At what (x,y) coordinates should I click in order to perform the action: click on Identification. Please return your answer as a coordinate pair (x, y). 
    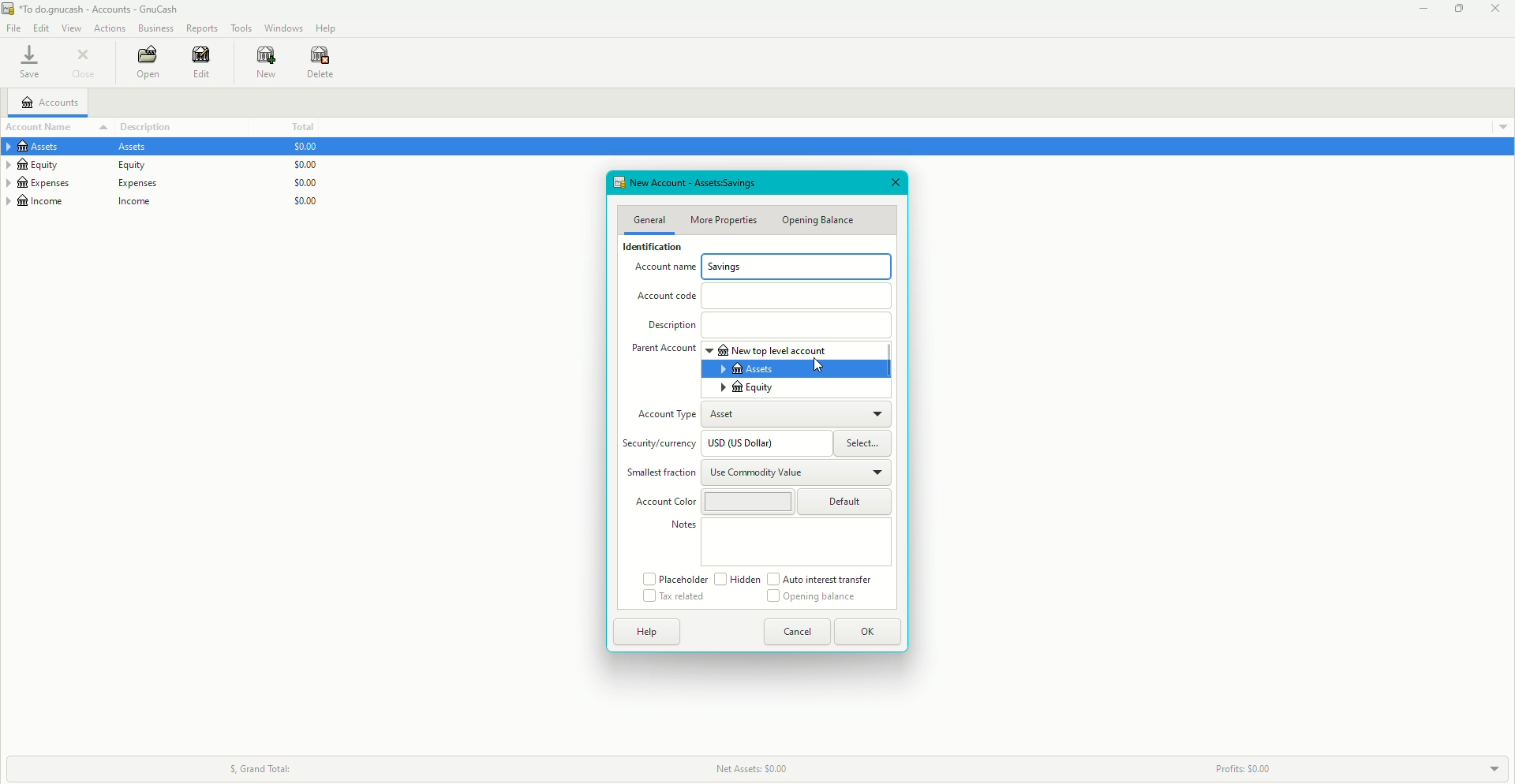
    Looking at the image, I should click on (649, 249).